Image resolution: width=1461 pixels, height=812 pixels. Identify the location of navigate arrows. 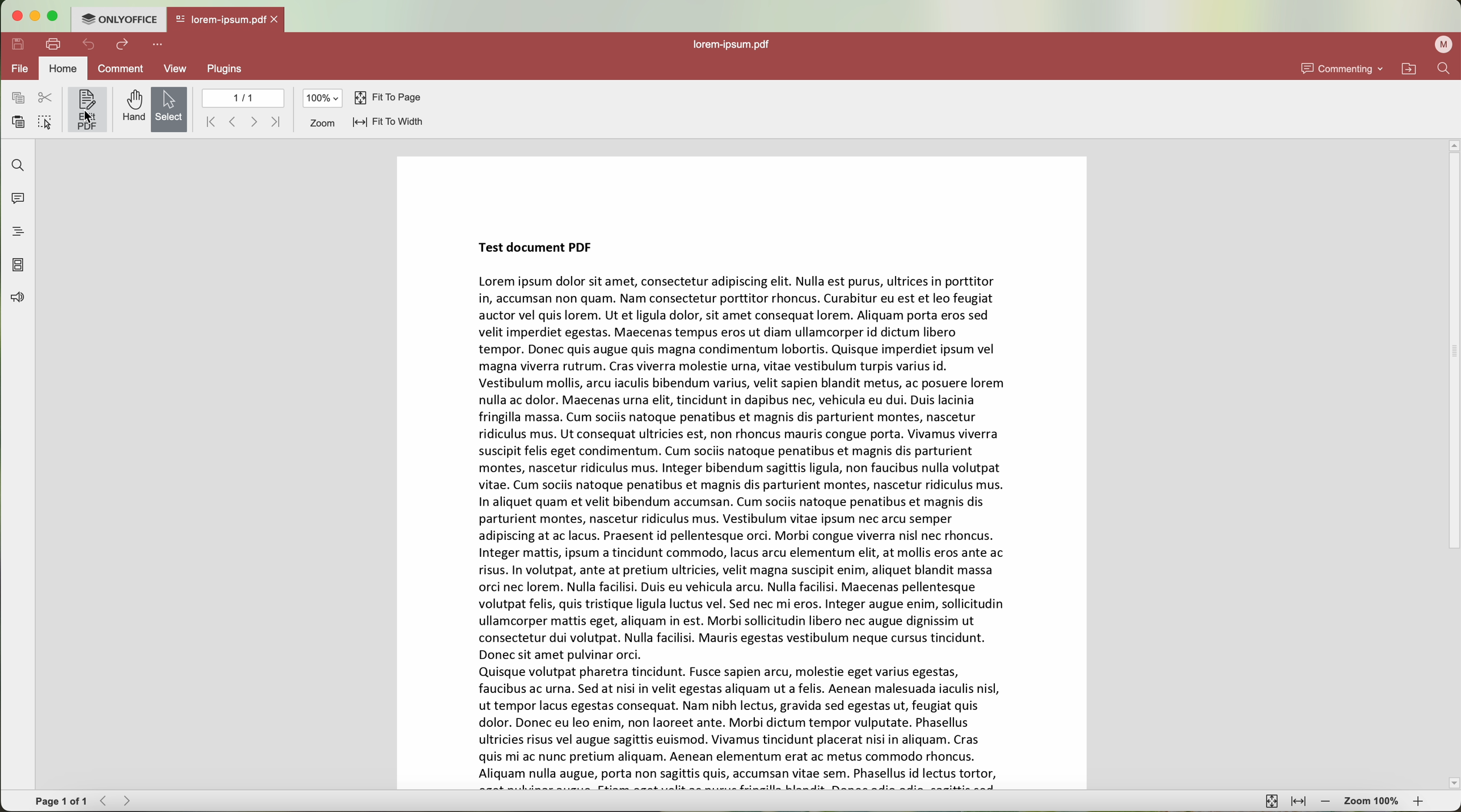
(244, 122).